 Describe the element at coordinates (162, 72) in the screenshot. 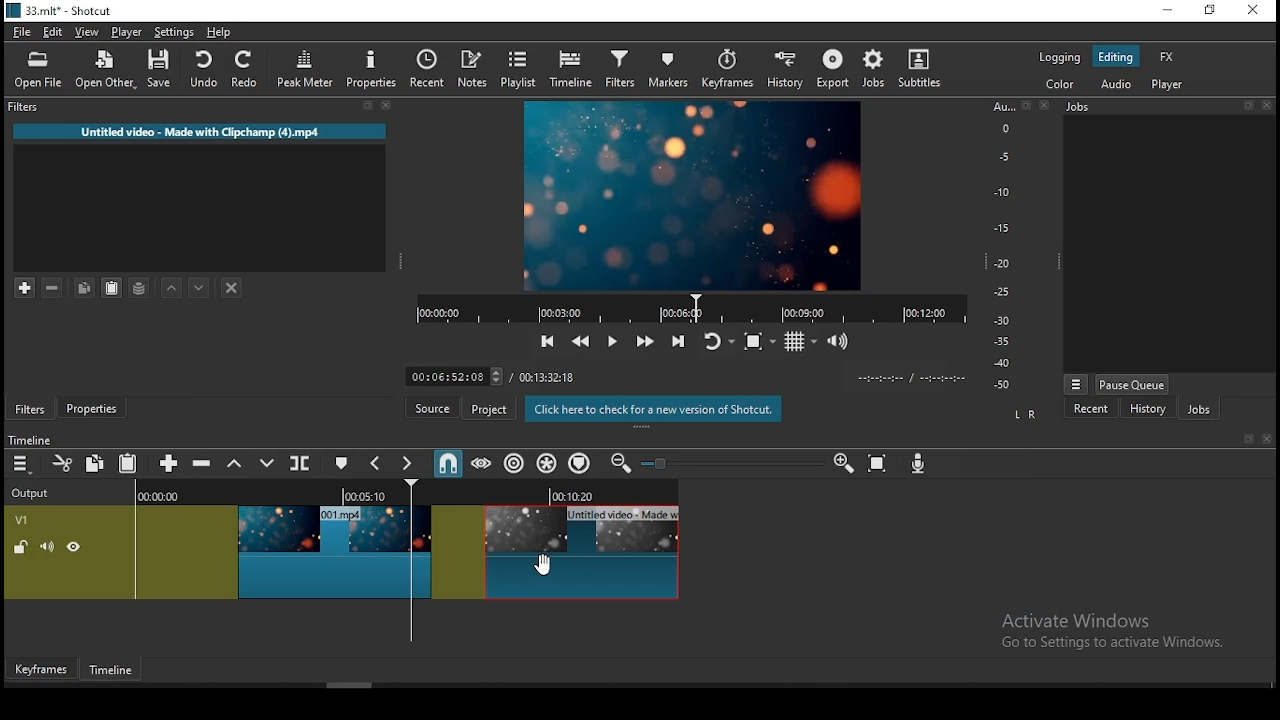

I see `save` at that location.